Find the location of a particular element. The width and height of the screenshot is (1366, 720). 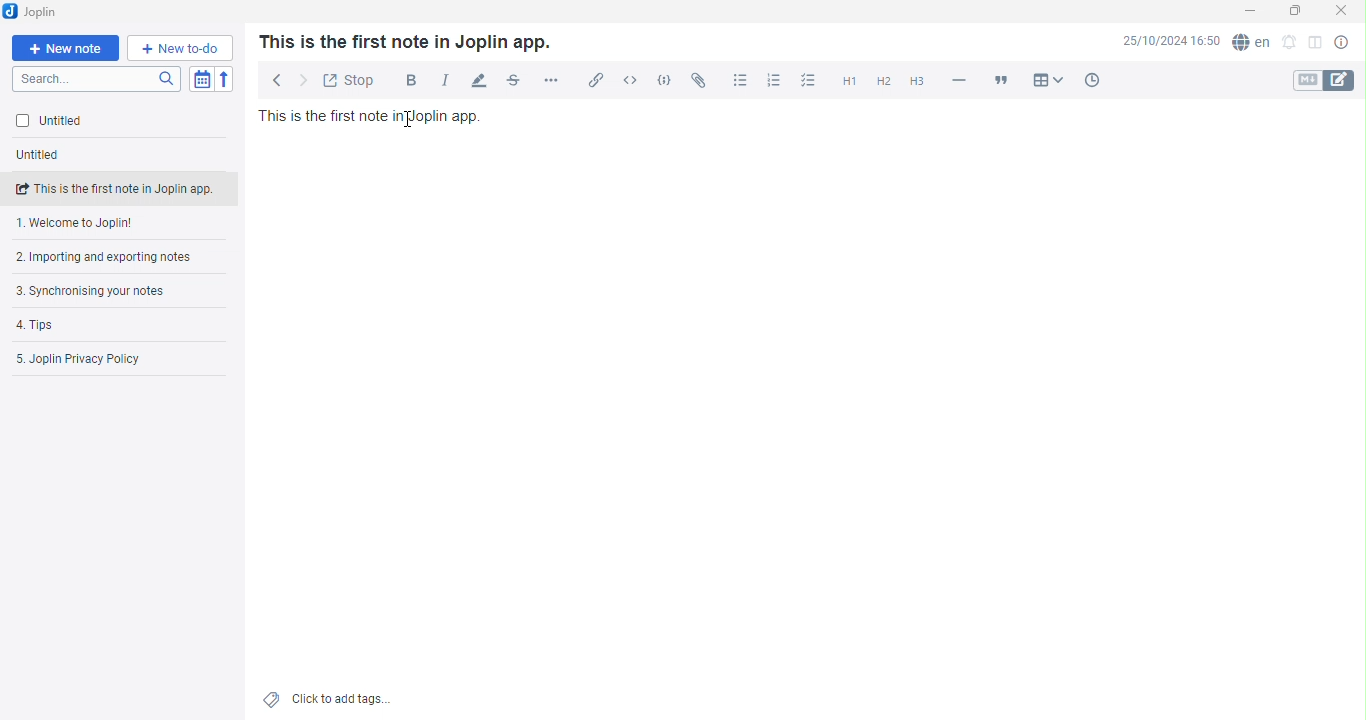

Heading 3 is located at coordinates (915, 83).